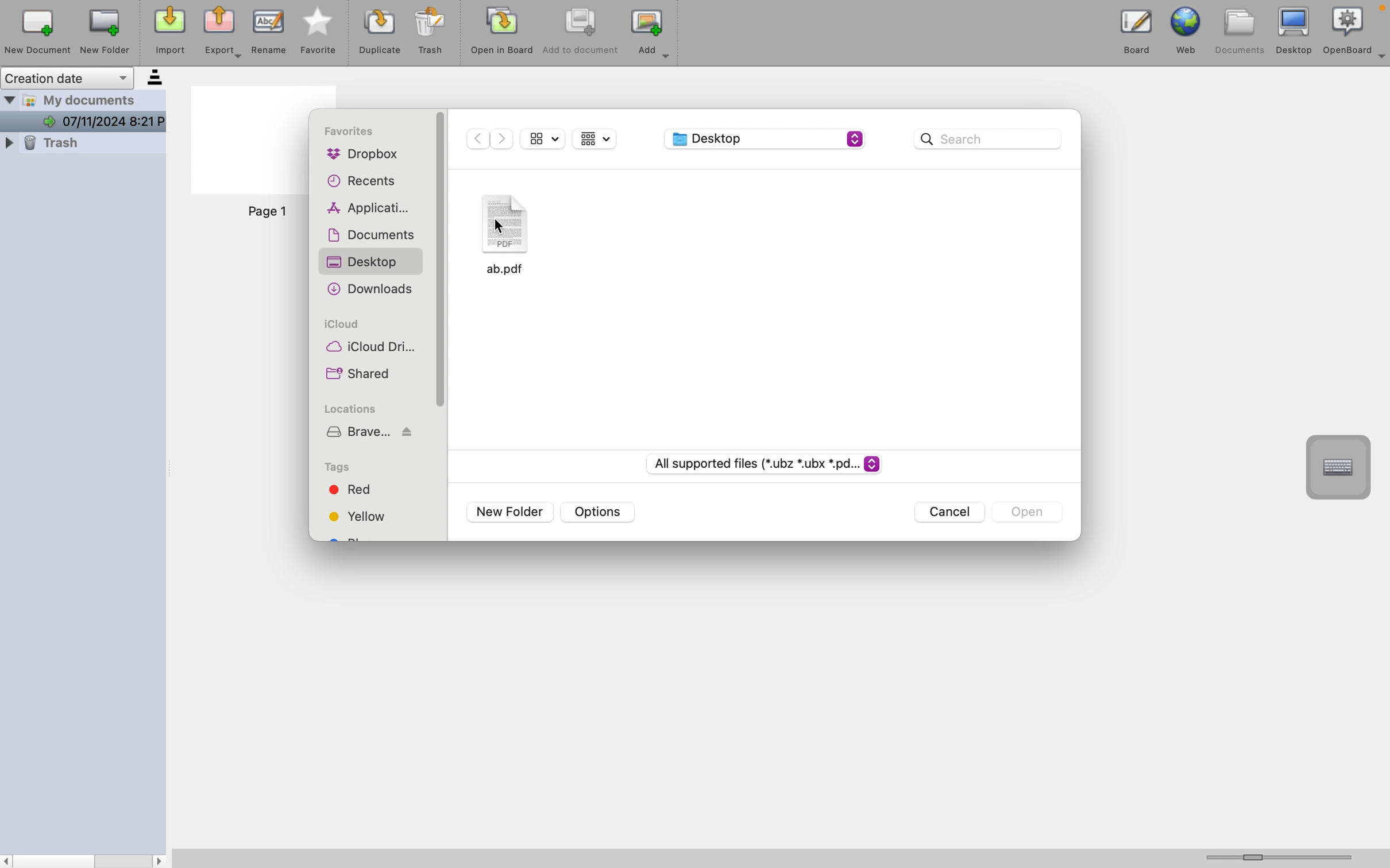  Describe the element at coordinates (364, 207) in the screenshot. I see `applications` at that location.